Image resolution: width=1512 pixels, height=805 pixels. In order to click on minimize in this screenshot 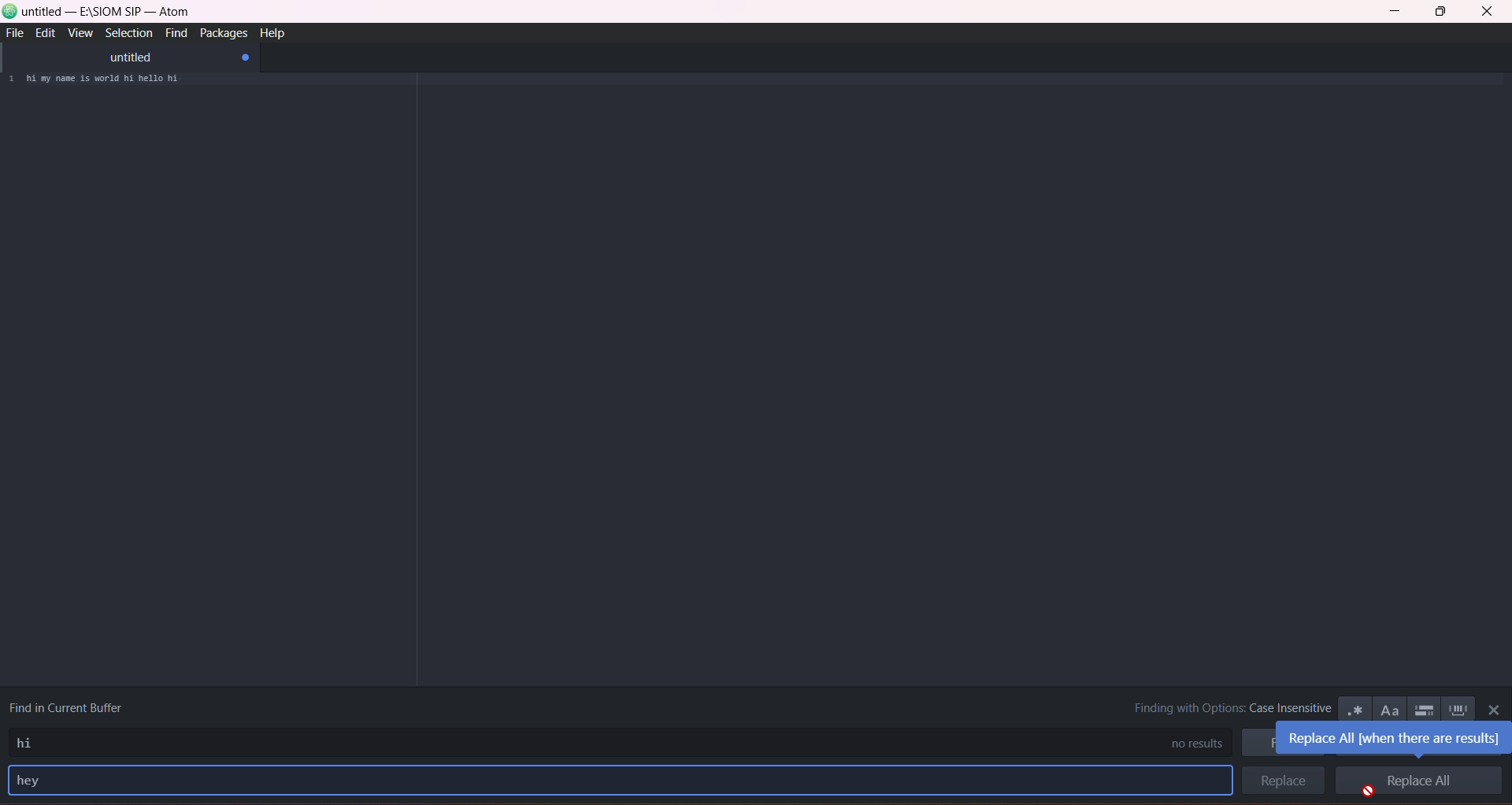, I will do `click(1399, 13)`.